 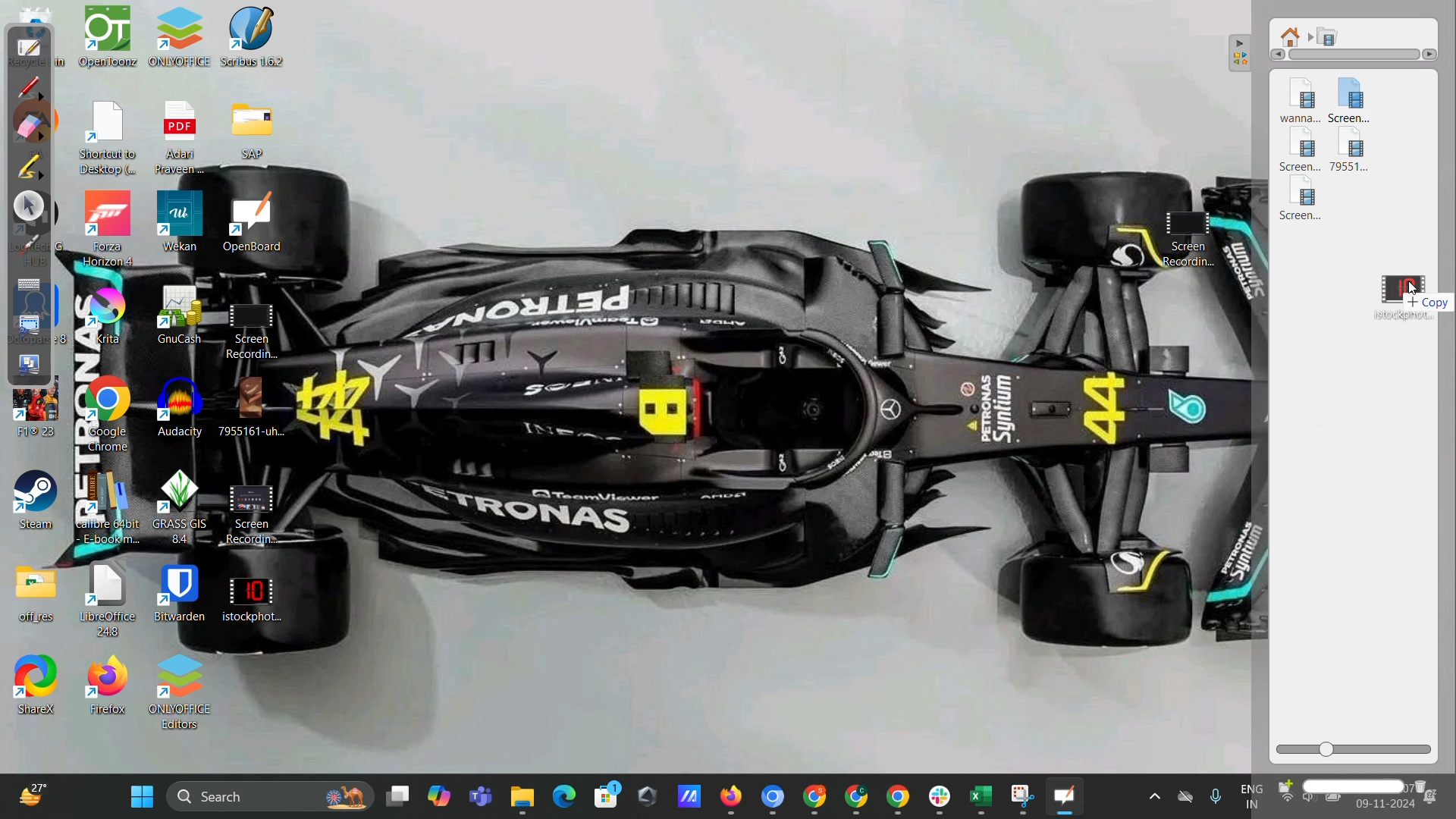 What do you see at coordinates (256, 130) in the screenshot?
I see `SAP` at bounding box center [256, 130].